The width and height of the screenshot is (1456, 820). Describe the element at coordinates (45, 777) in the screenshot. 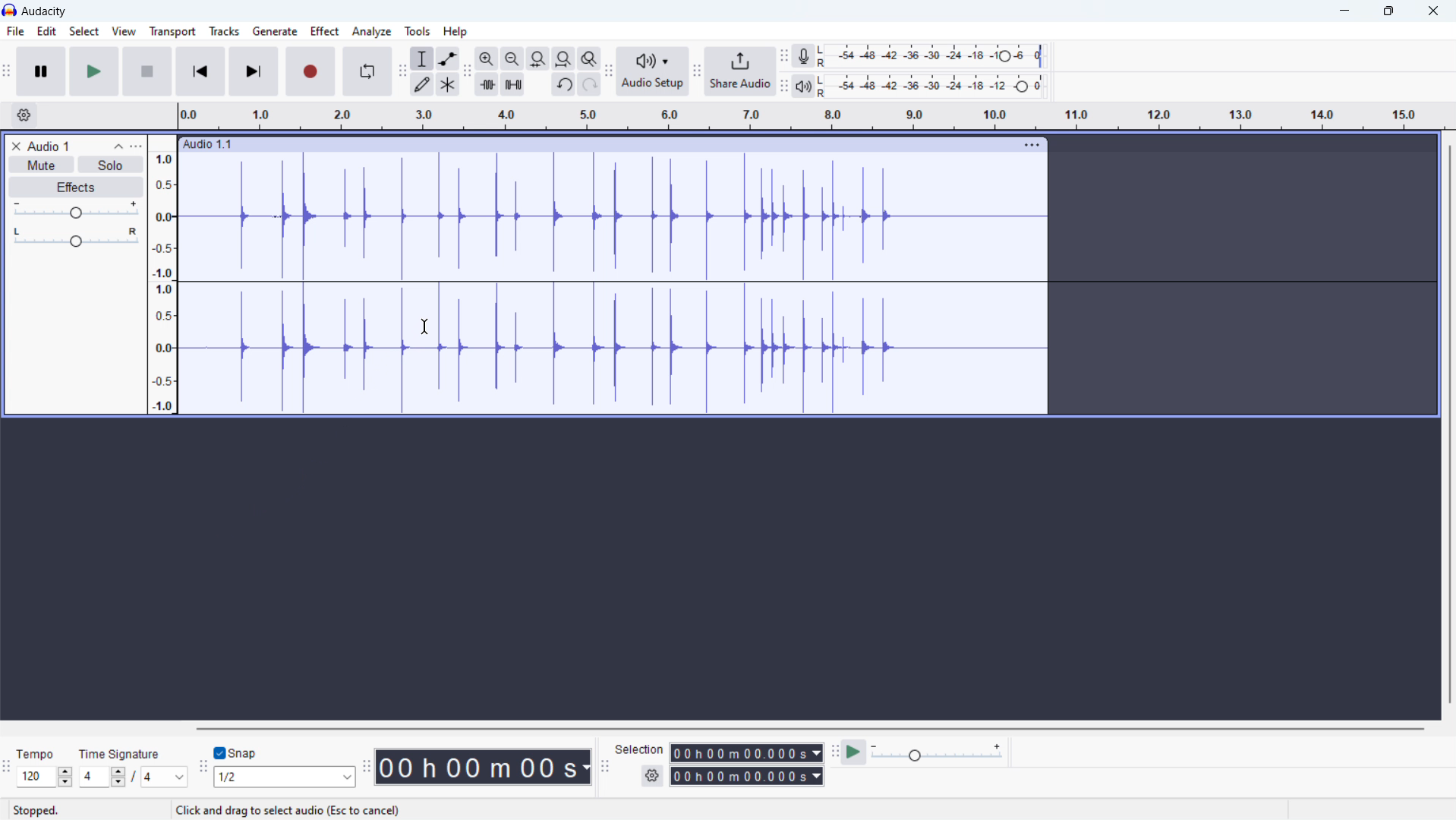

I see `set tempo` at that location.